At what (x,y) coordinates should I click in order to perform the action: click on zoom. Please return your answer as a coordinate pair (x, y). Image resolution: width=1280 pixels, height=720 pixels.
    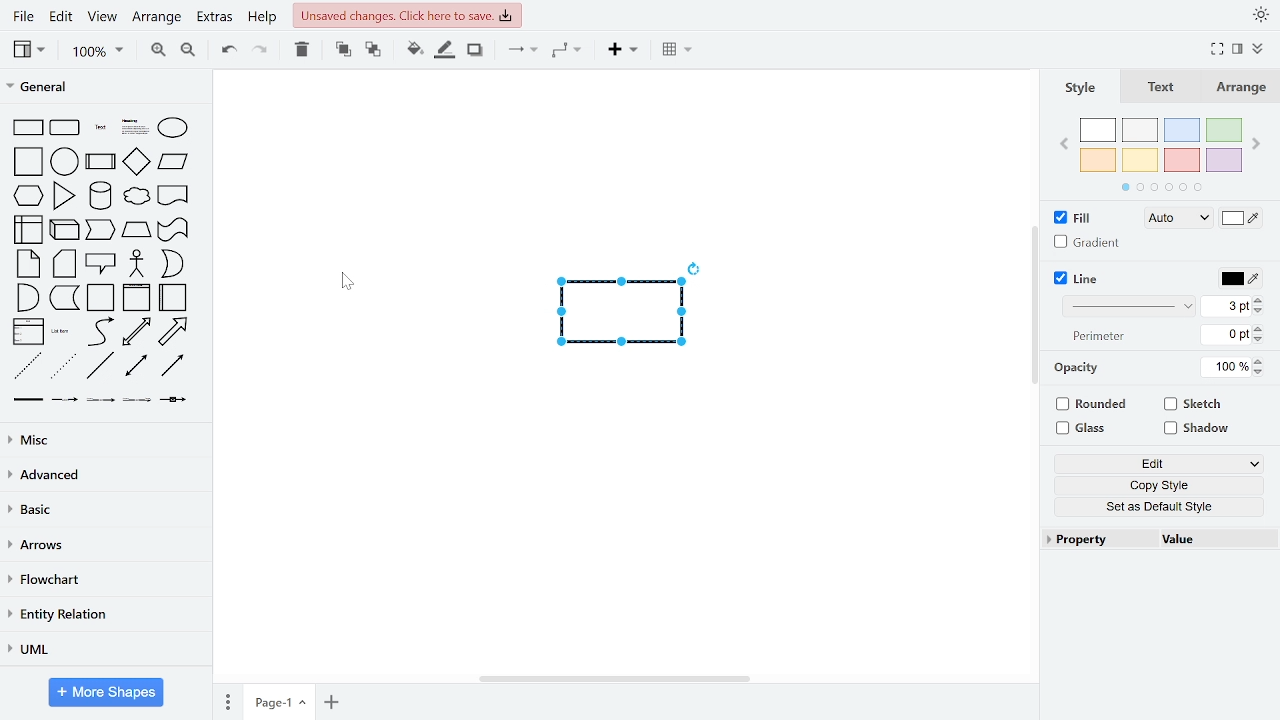
    Looking at the image, I should click on (100, 52).